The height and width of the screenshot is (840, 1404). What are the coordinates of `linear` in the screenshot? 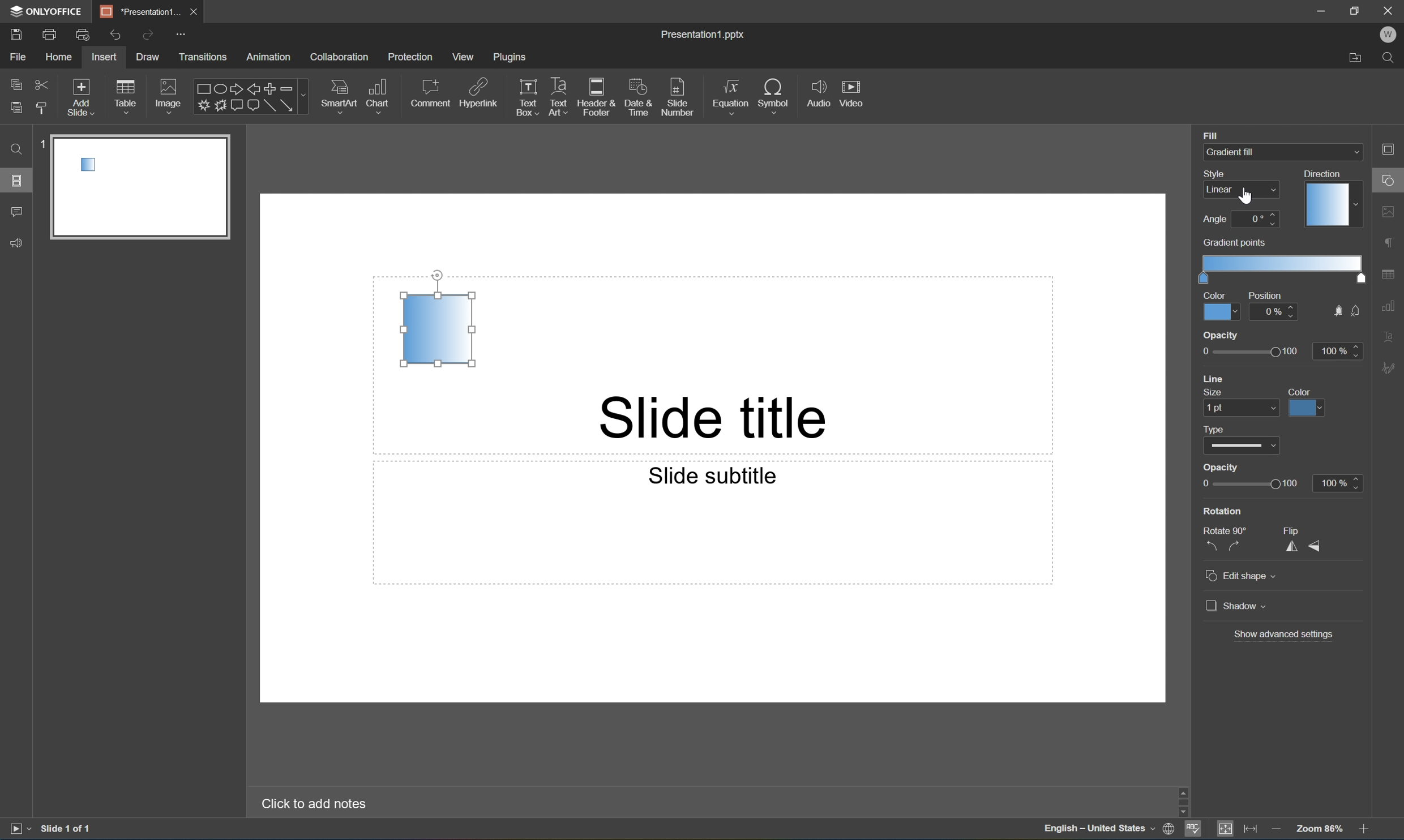 It's located at (1240, 190).